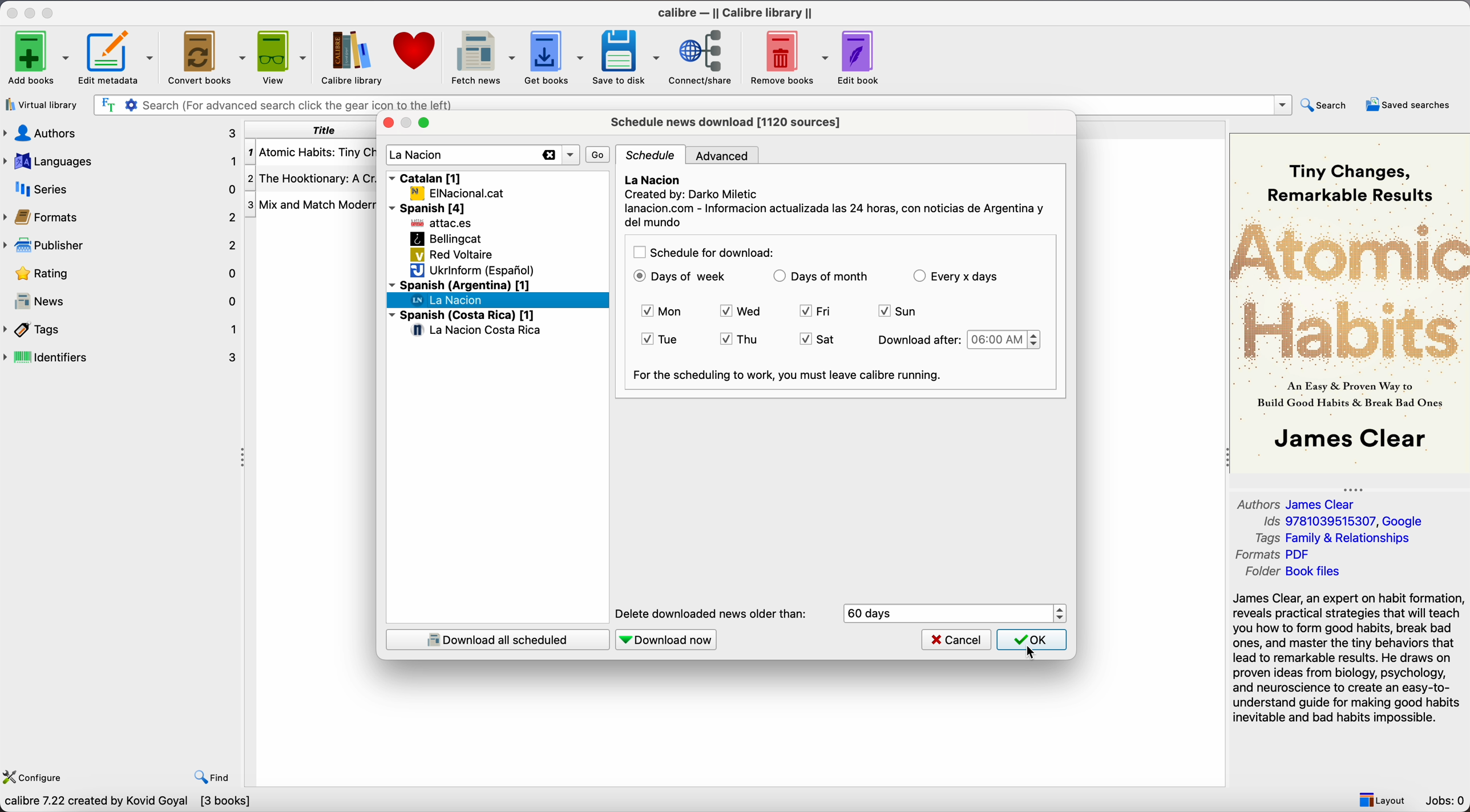 The width and height of the screenshot is (1470, 812). What do you see at coordinates (41, 104) in the screenshot?
I see `virtual library` at bounding box center [41, 104].